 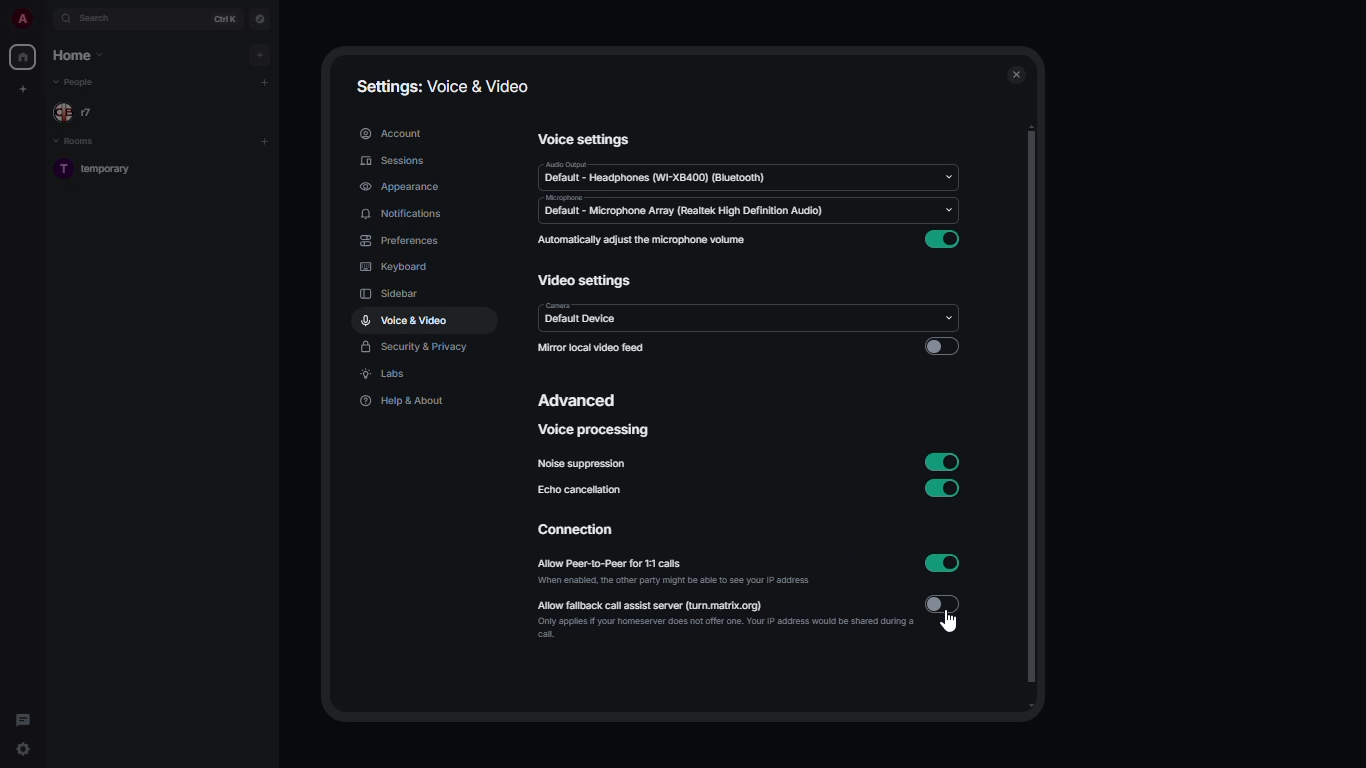 What do you see at coordinates (669, 603) in the screenshot?
I see `allow fallback call assist server` at bounding box center [669, 603].